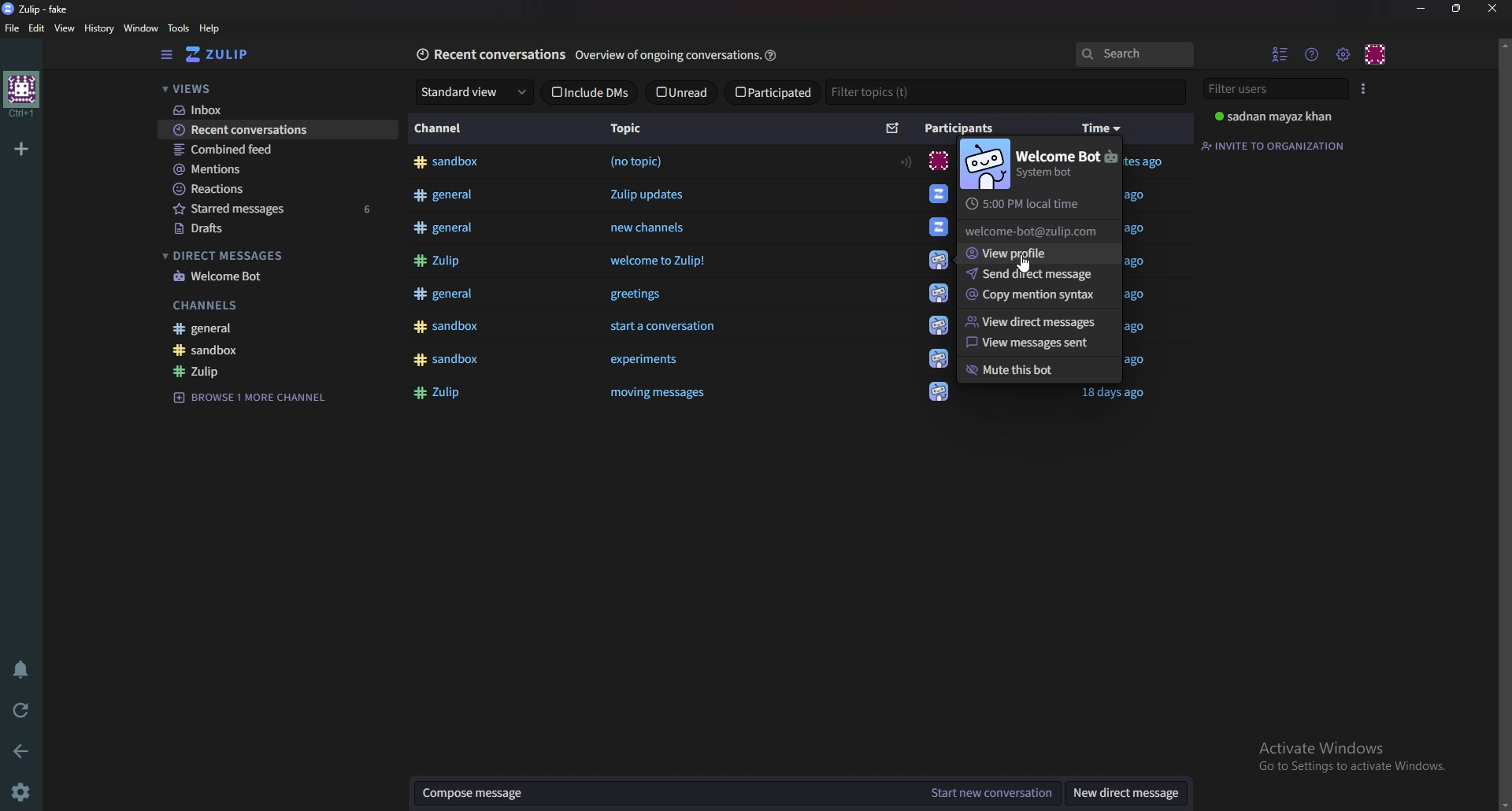  Describe the element at coordinates (272, 150) in the screenshot. I see `Combined feed` at that location.